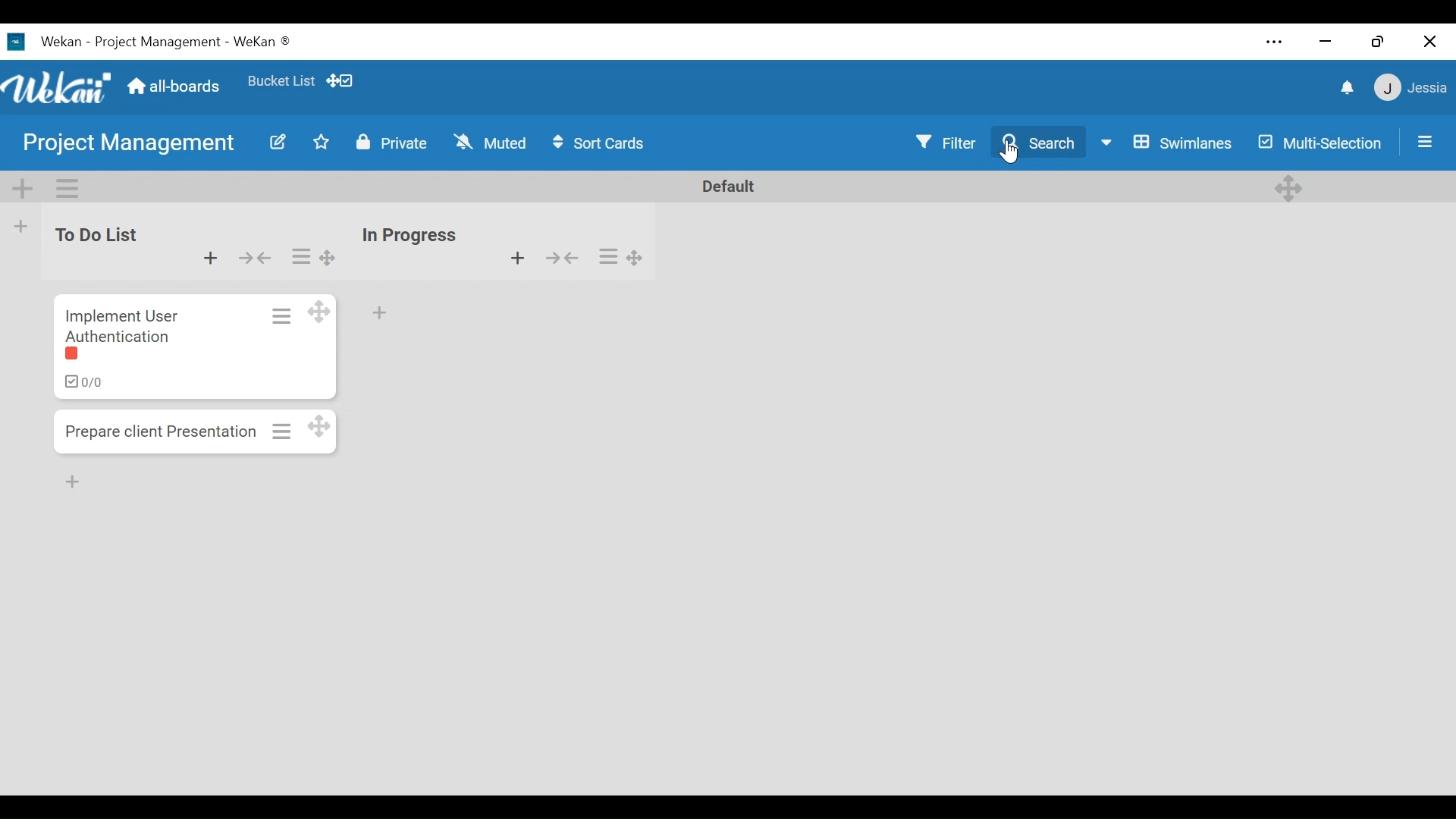 The width and height of the screenshot is (1456, 819). I want to click on Swimlane actions, so click(71, 189).